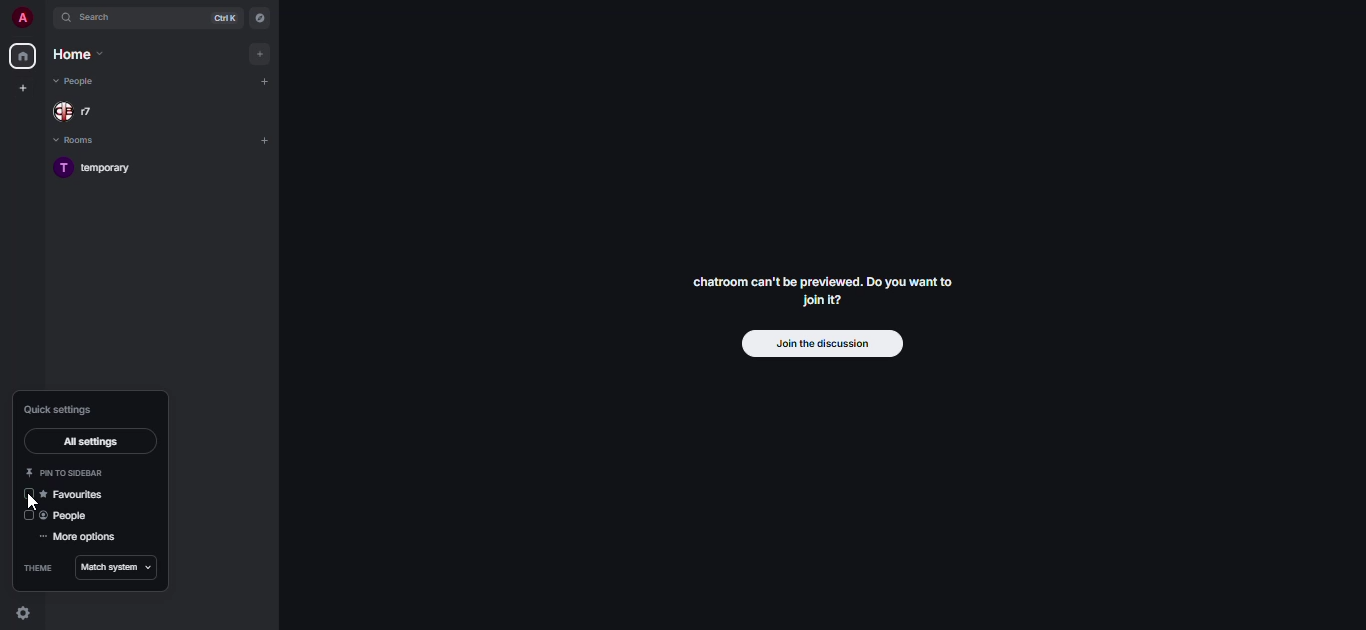 This screenshot has width=1366, height=630. What do you see at coordinates (35, 504) in the screenshot?
I see `cursor` at bounding box center [35, 504].